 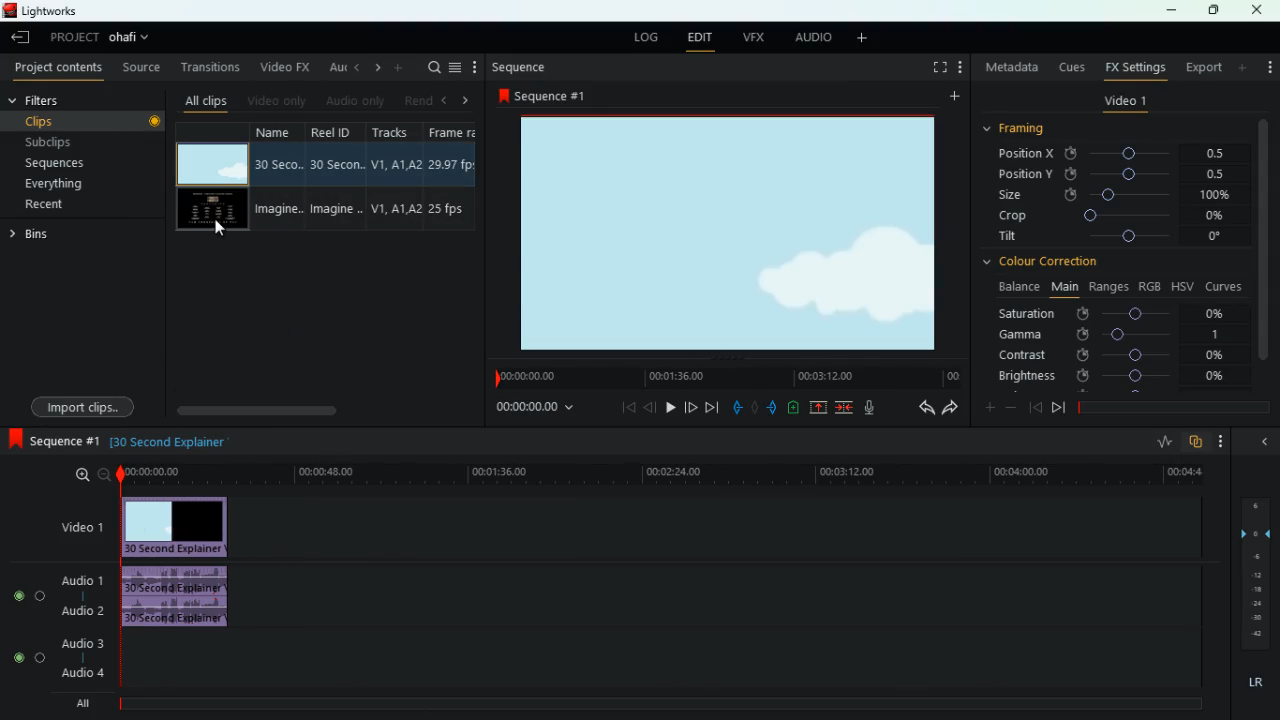 What do you see at coordinates (78, 529) in the screenshot?
I see `video 1` at bounding box center [78, 529].